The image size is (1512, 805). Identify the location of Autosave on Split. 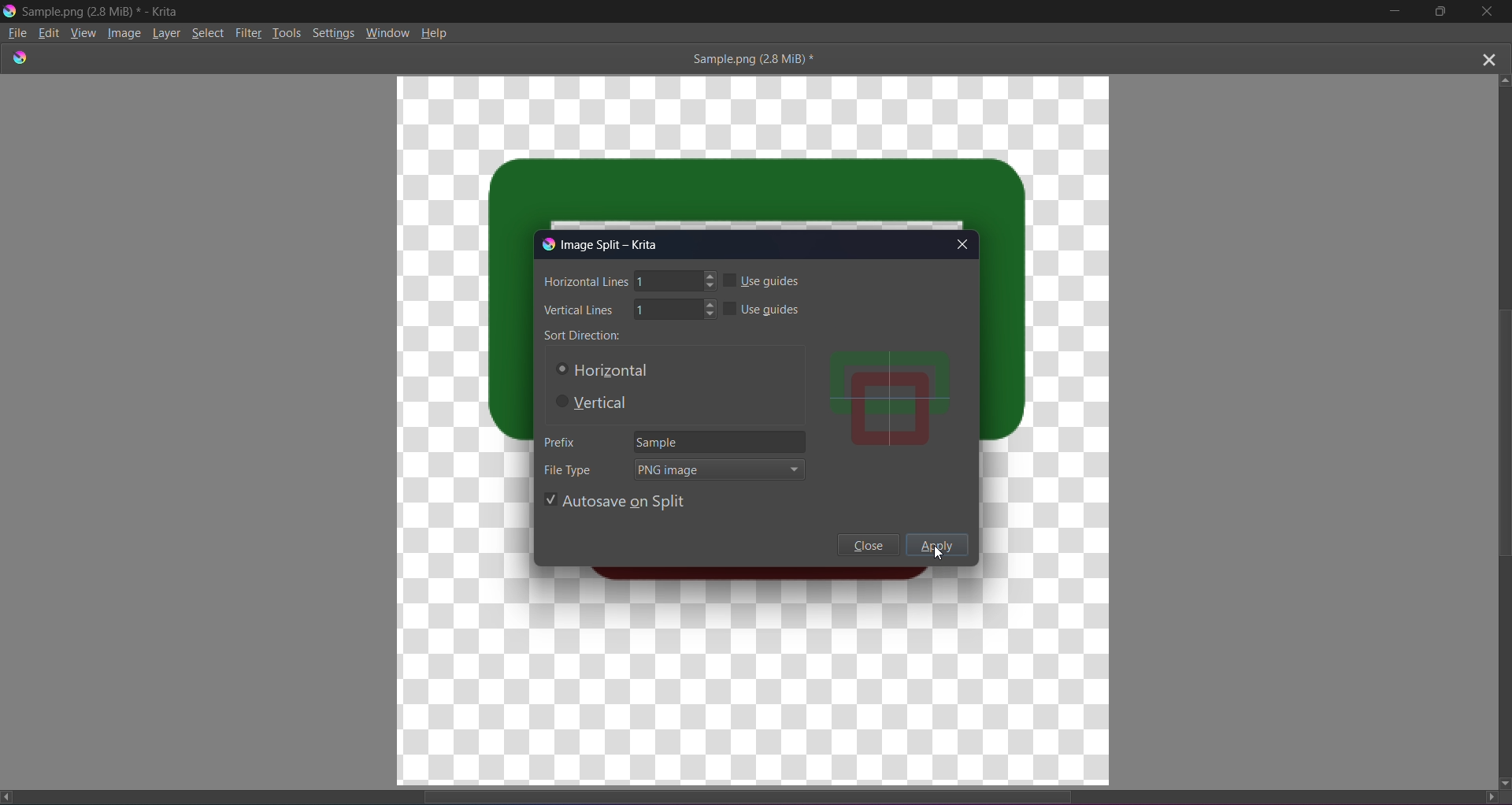
(614, 499).